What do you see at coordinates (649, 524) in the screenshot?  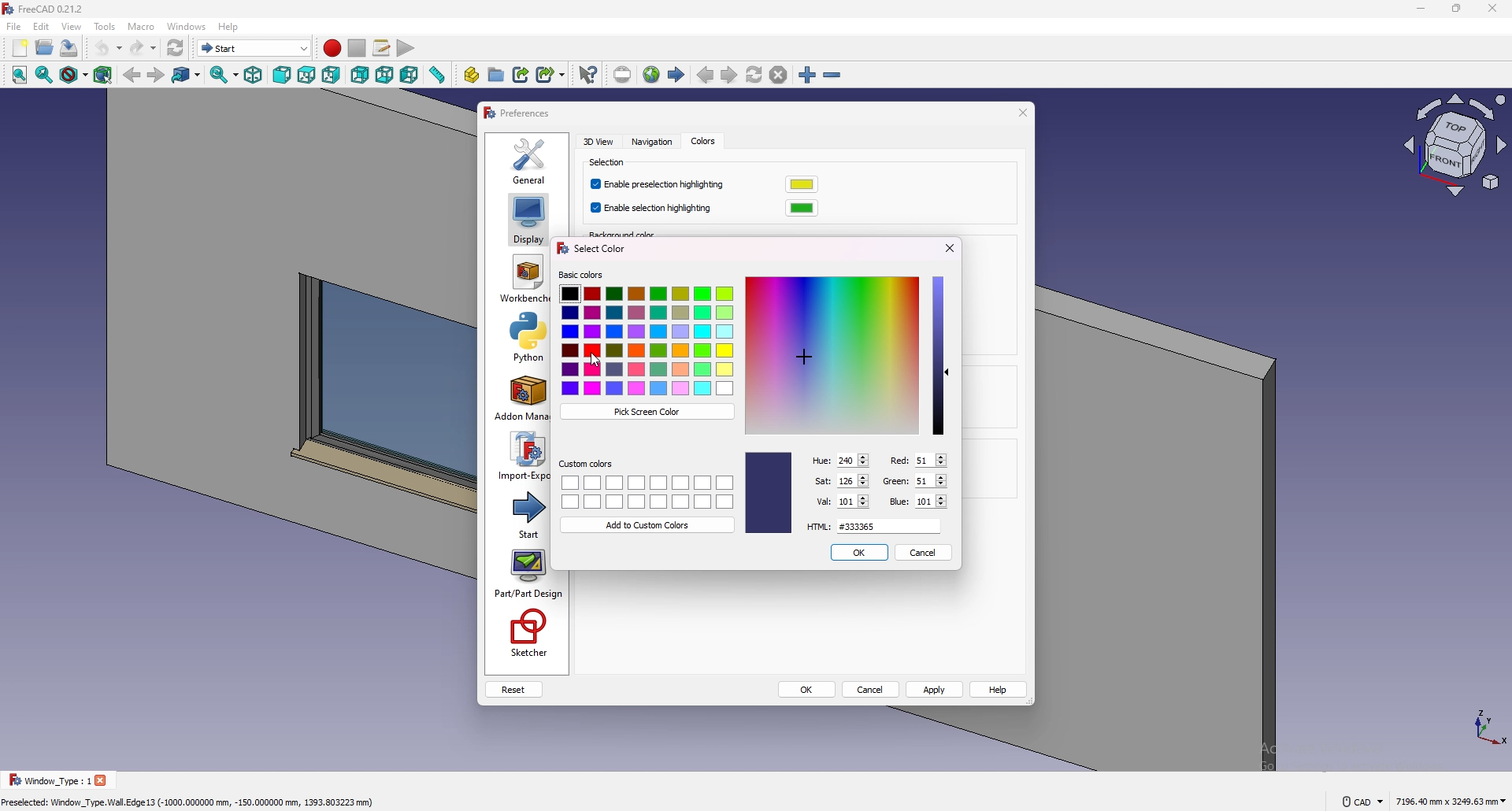 I see `Add to Custom Colors` at bounding box center [649, 524].